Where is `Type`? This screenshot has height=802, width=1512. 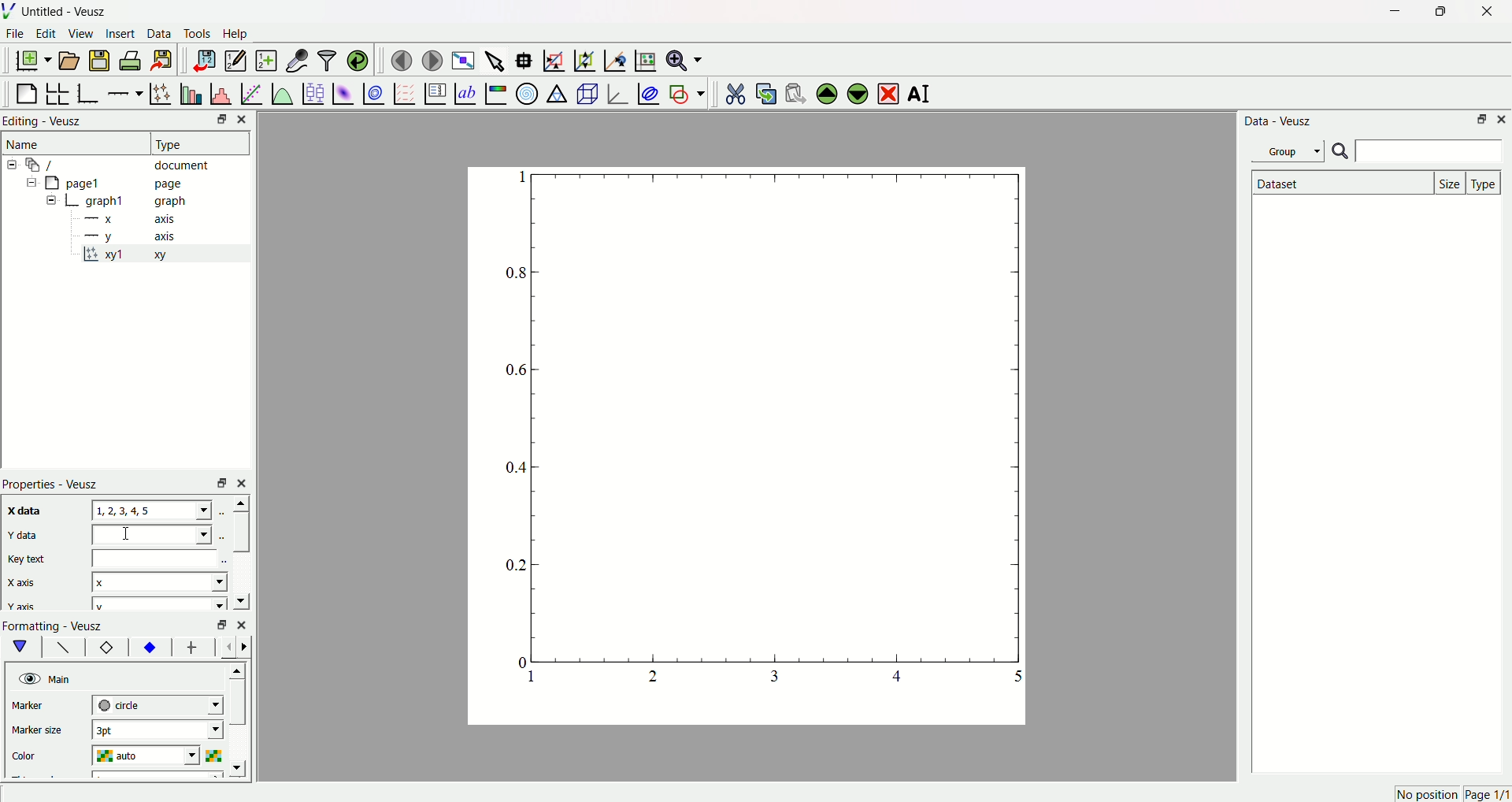 Type is located at coordinates (193, 143).